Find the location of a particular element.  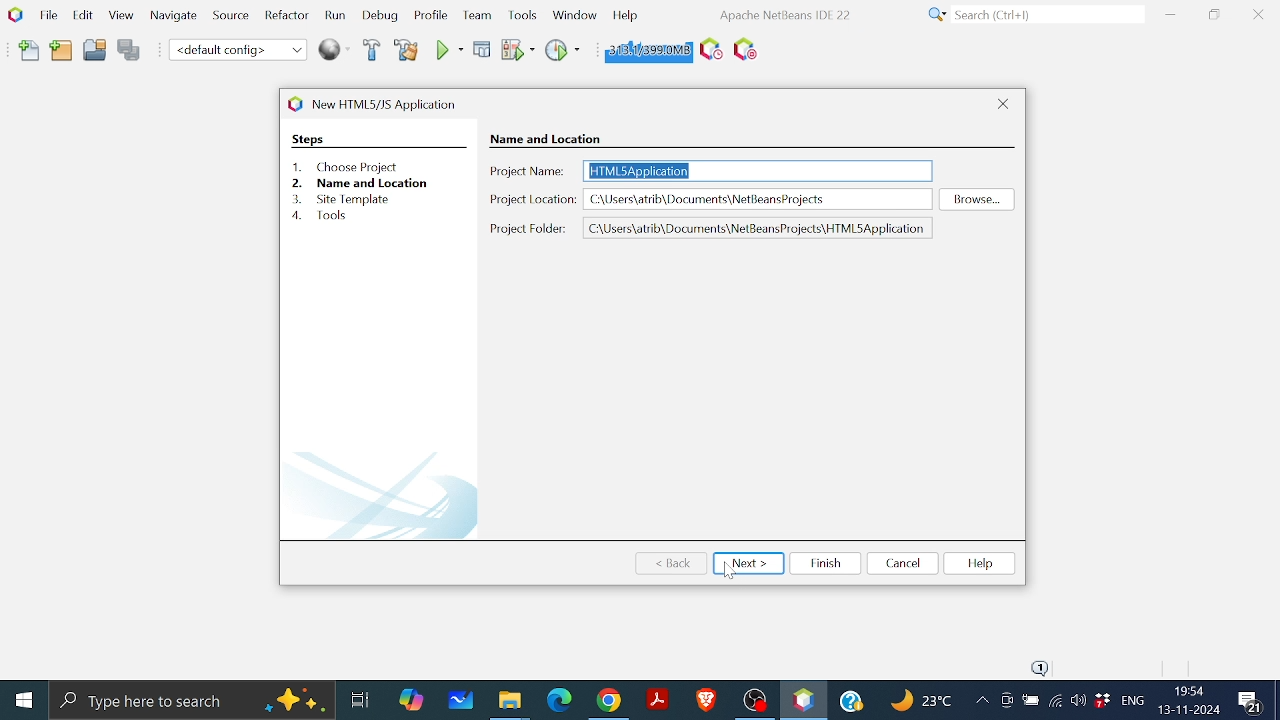

File is located at coordinates (46, 15).